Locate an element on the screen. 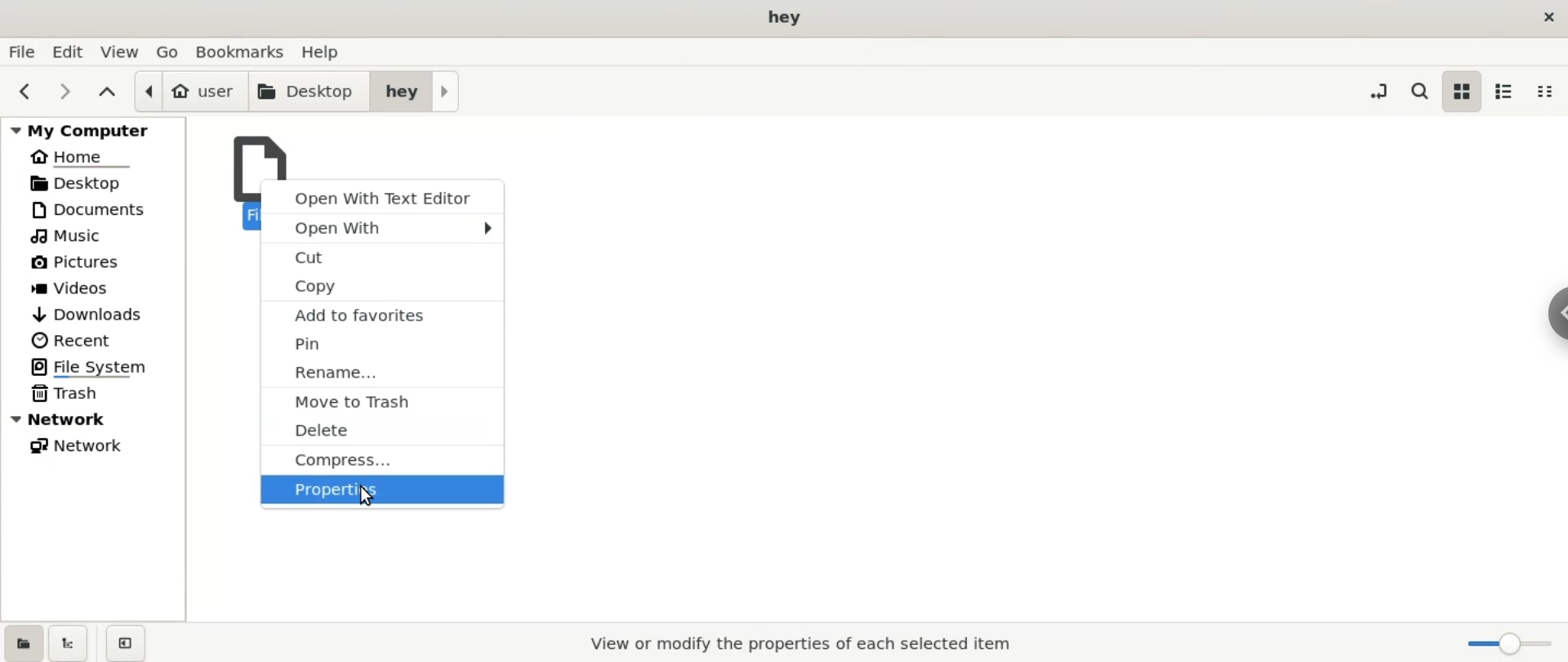  icon view is located at coordinates (1461, 91).